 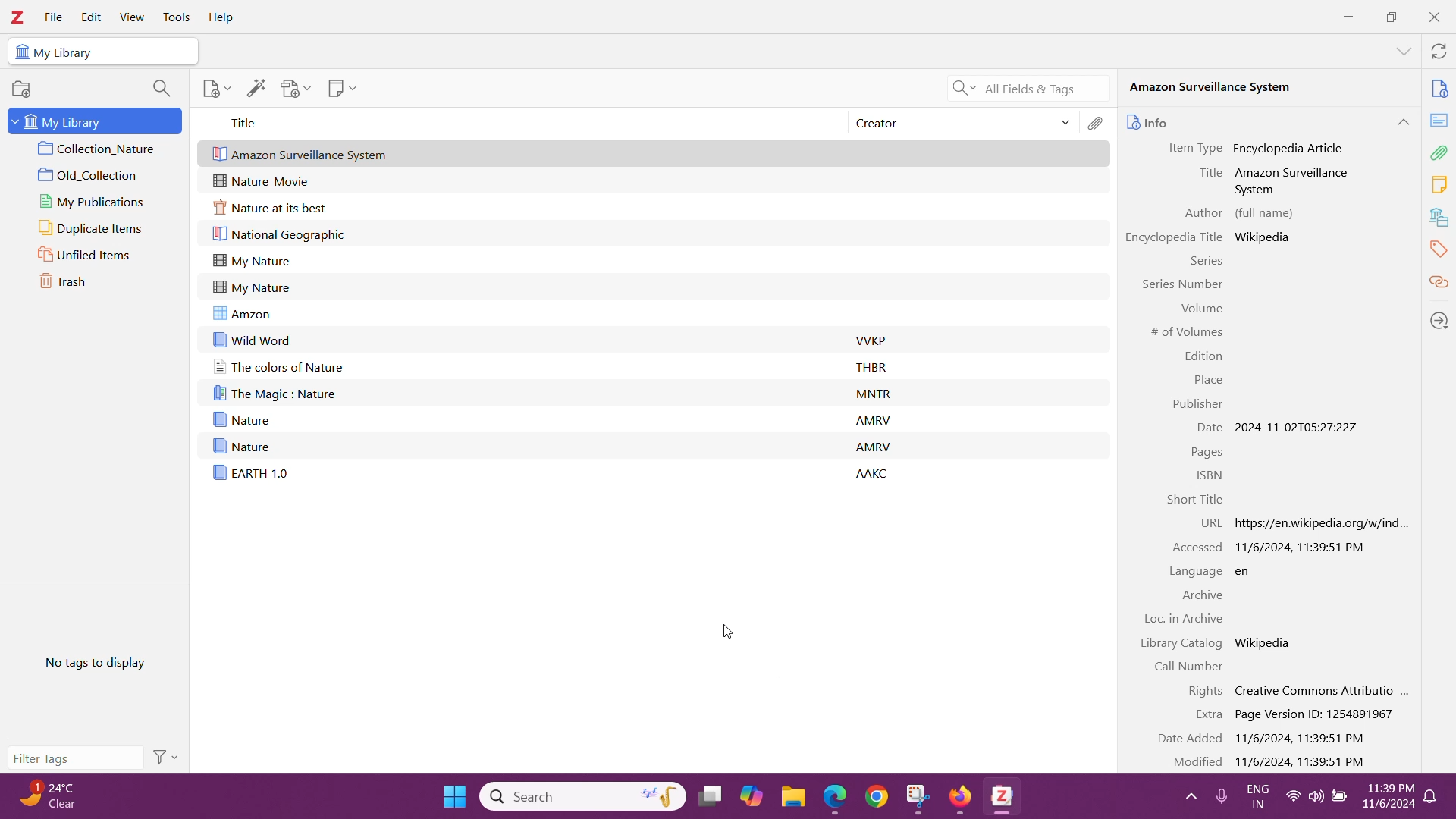 I want to click on Zotero Desktop Aplication, so click(x=1005, y=800).